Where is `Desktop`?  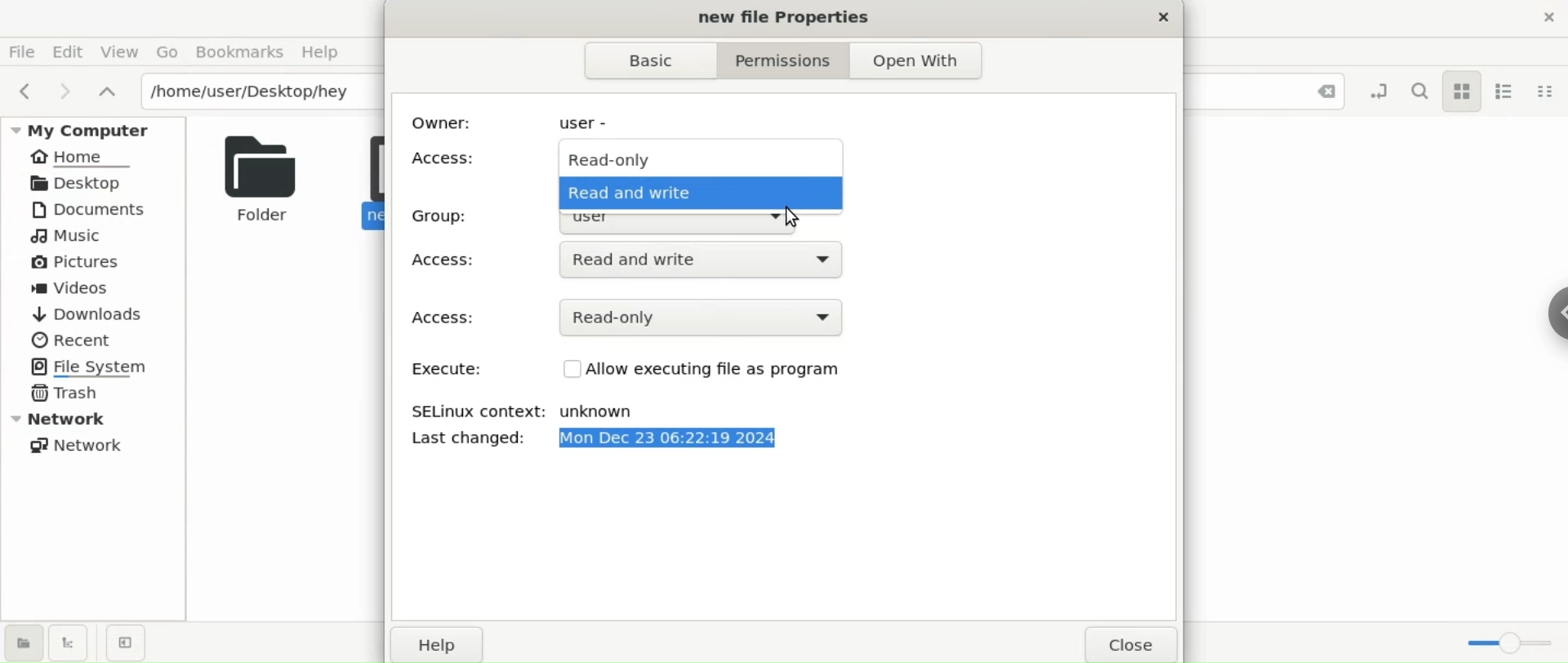 Desktop is located at coordinates (96, 182).